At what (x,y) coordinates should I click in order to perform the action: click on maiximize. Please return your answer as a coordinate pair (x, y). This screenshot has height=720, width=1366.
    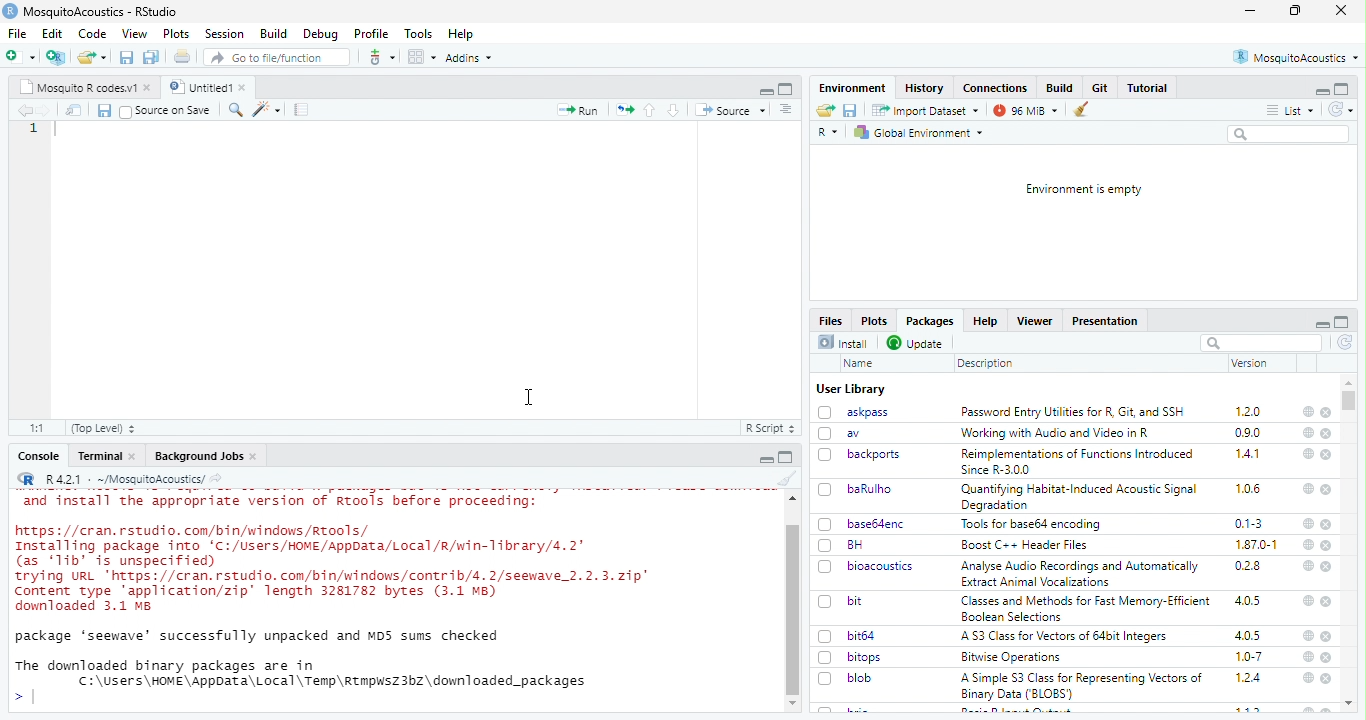
    Looking at the image, I should click on (787, 89).